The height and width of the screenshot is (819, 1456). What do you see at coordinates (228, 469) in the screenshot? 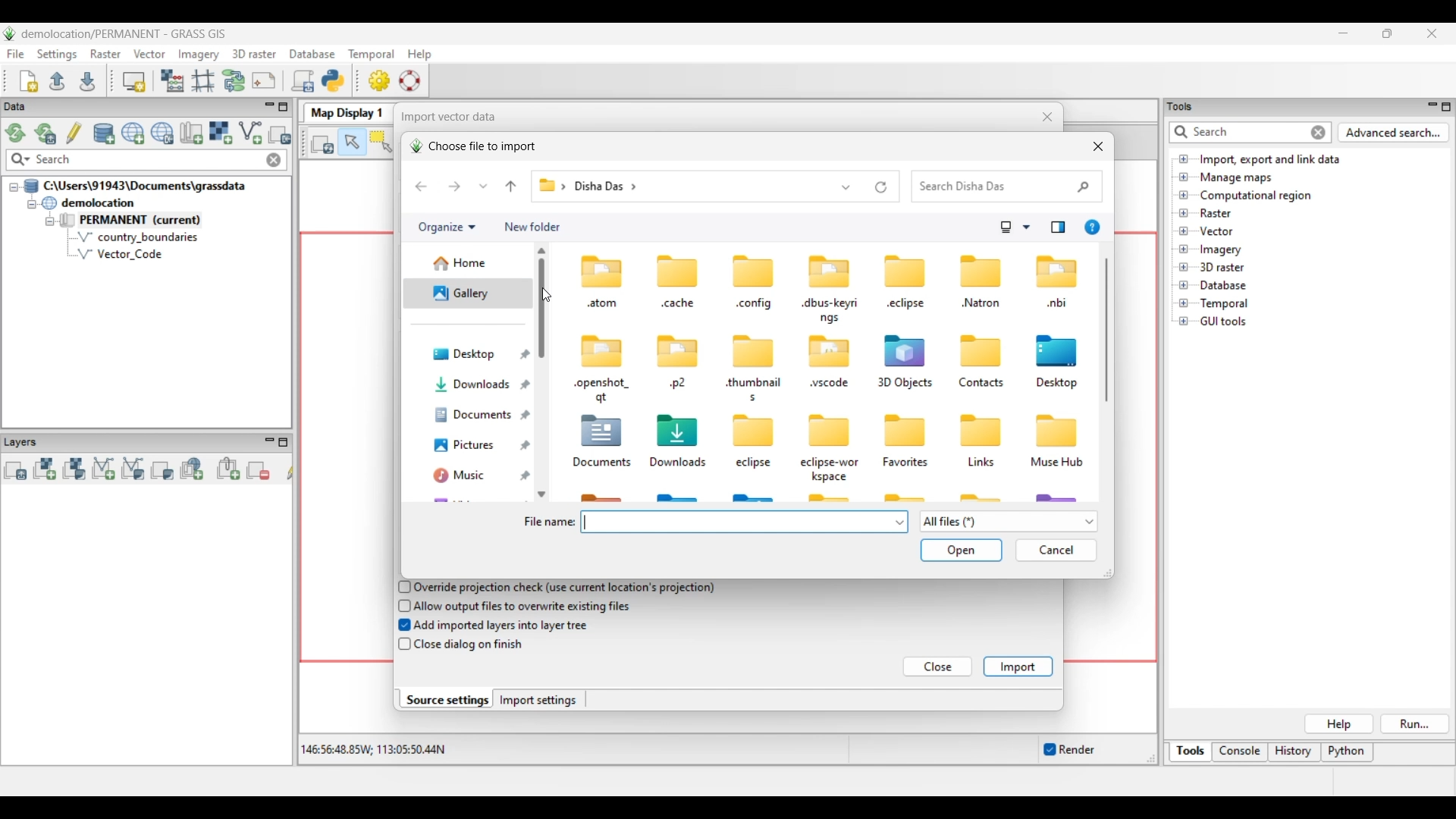
I see `Add group` at bounding box center [228, 469].